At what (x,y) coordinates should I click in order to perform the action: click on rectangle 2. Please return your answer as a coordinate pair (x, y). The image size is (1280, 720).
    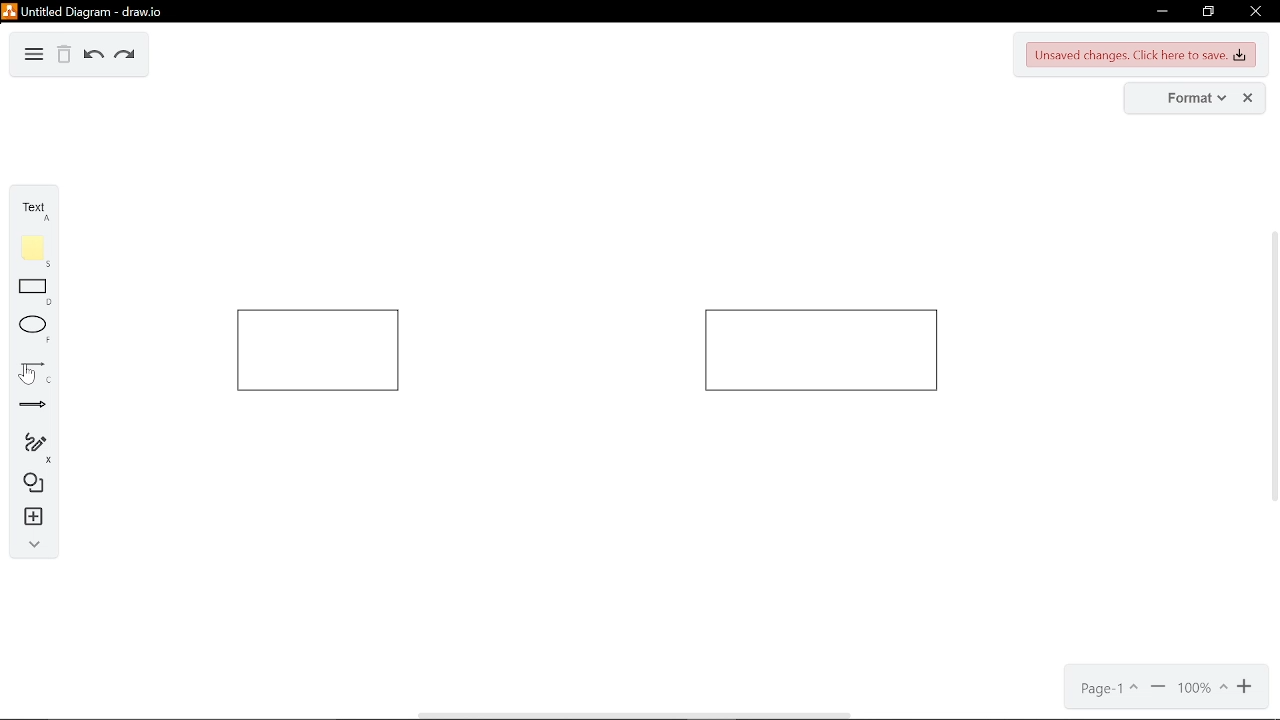
    Looking at the image, I should click on (821, 350).